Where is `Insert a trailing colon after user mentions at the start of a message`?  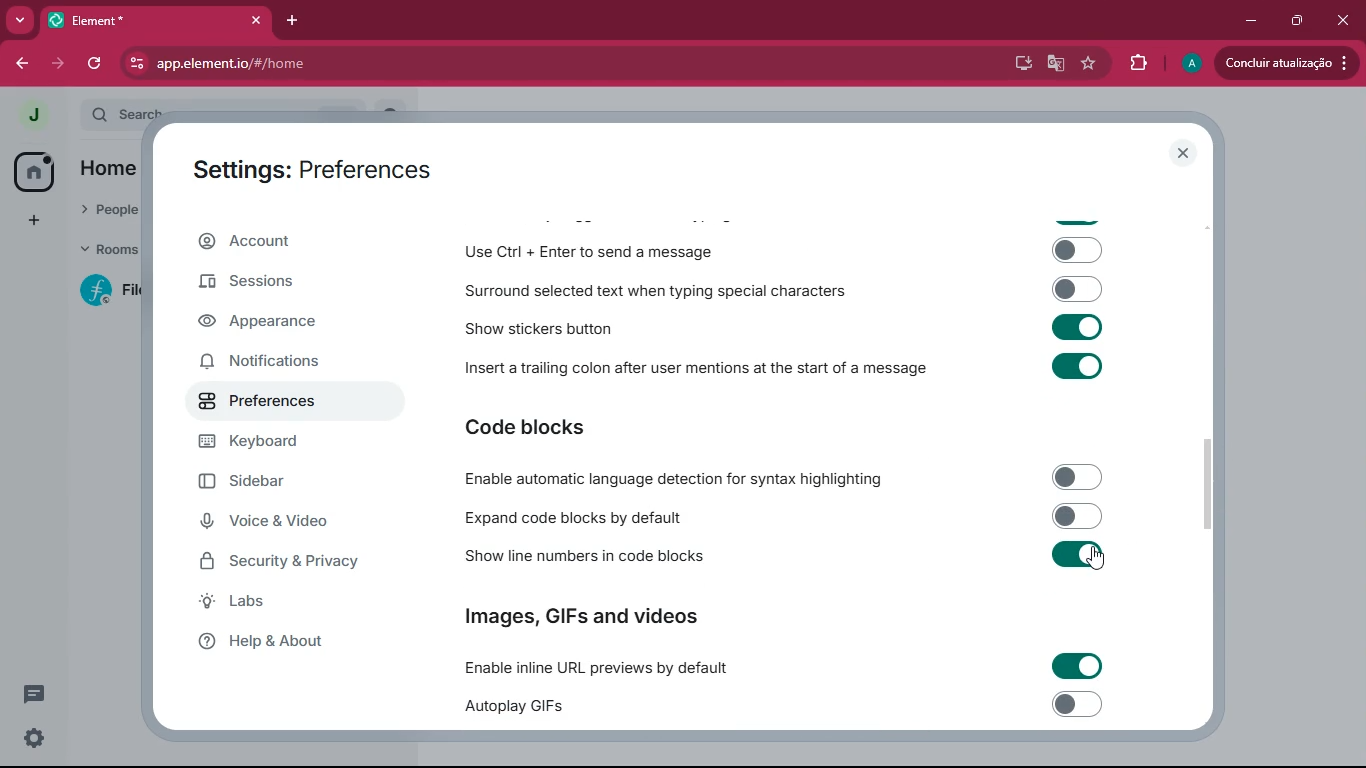 Insert a trailing colon after user mentions at the start of a message is located at coordinates (782, 372).